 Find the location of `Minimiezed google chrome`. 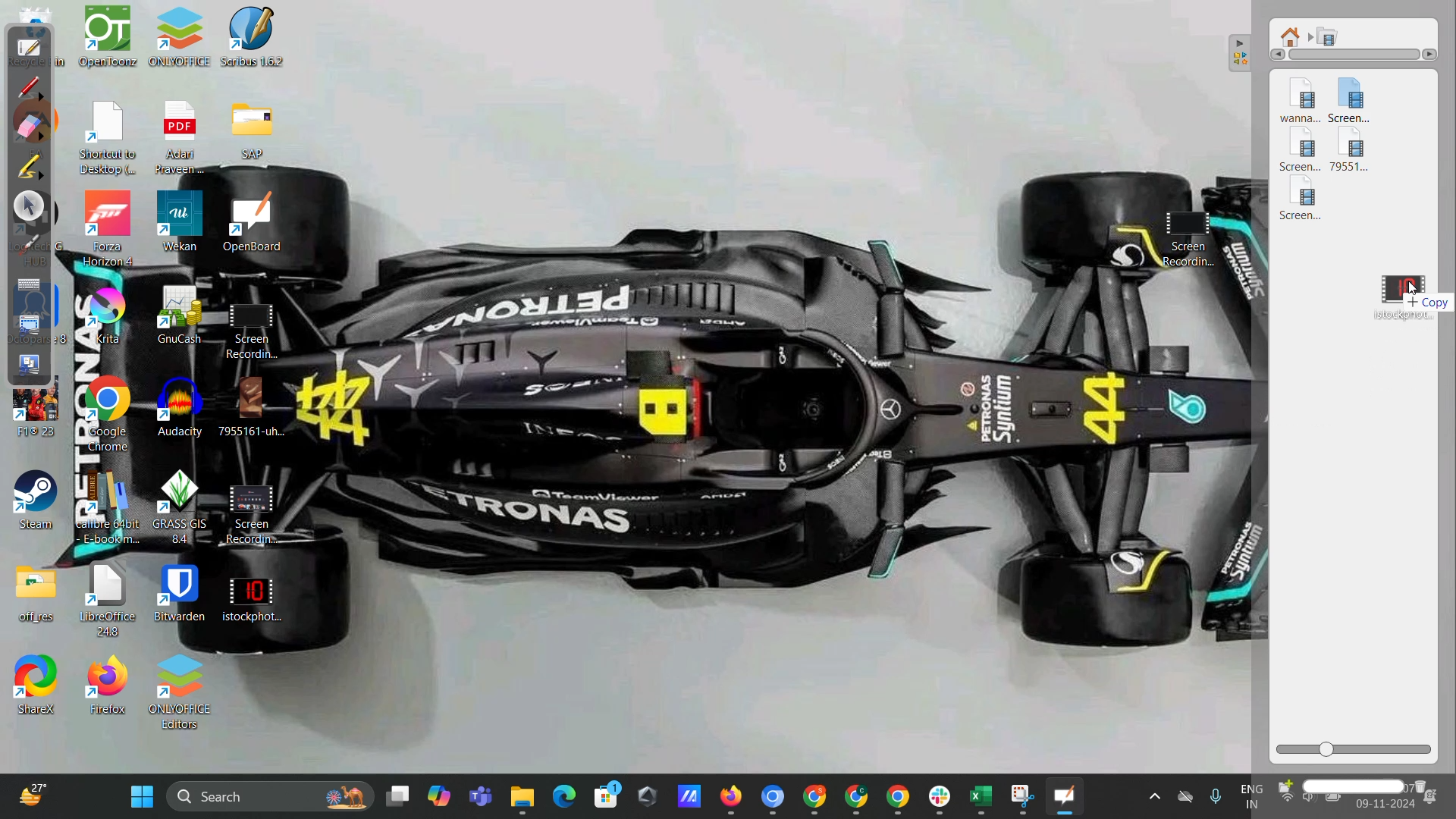

Minimiezed google chrome is located at coordinates (900, 797).